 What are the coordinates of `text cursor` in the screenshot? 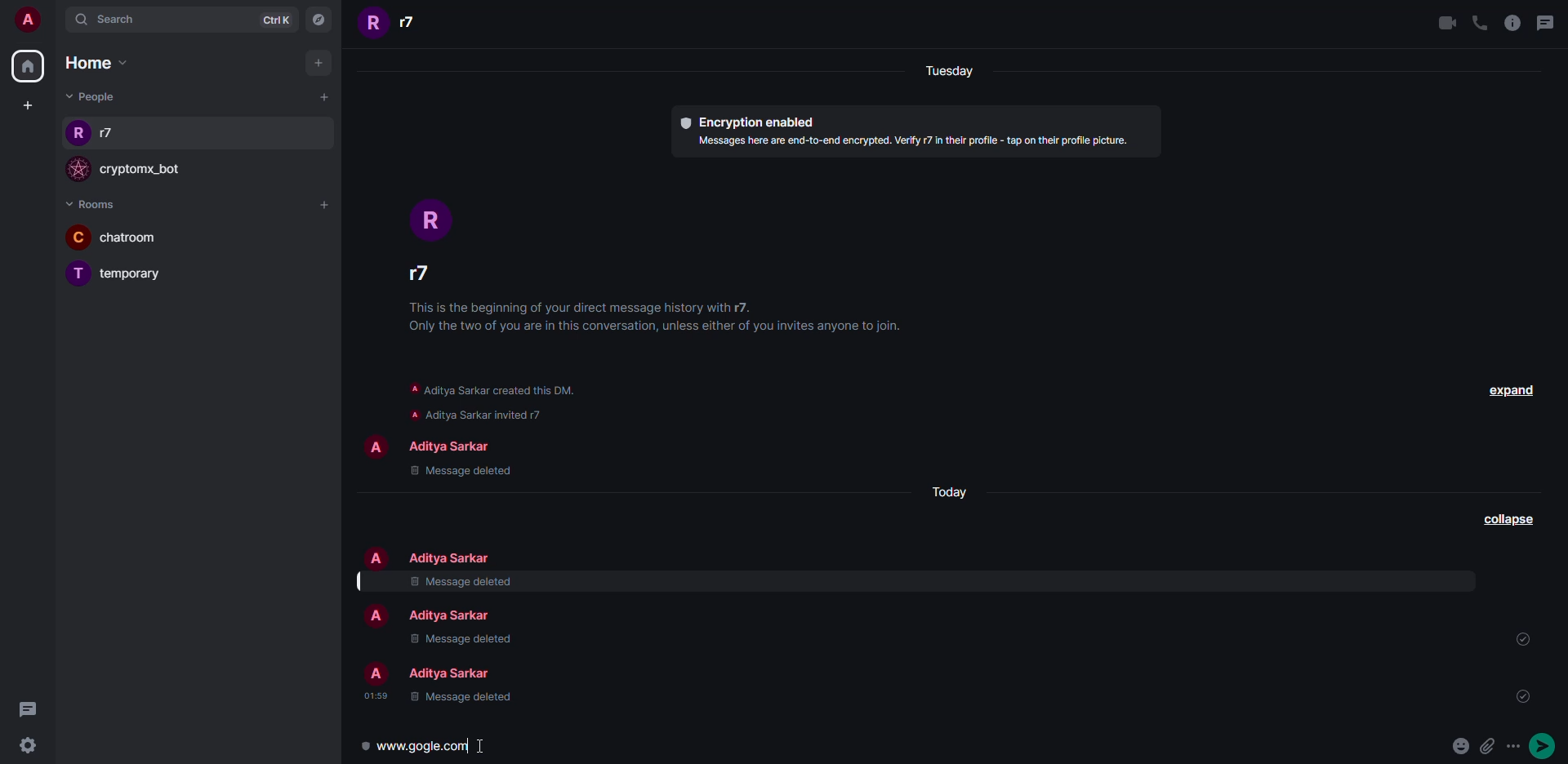 It's located at (480, 745).